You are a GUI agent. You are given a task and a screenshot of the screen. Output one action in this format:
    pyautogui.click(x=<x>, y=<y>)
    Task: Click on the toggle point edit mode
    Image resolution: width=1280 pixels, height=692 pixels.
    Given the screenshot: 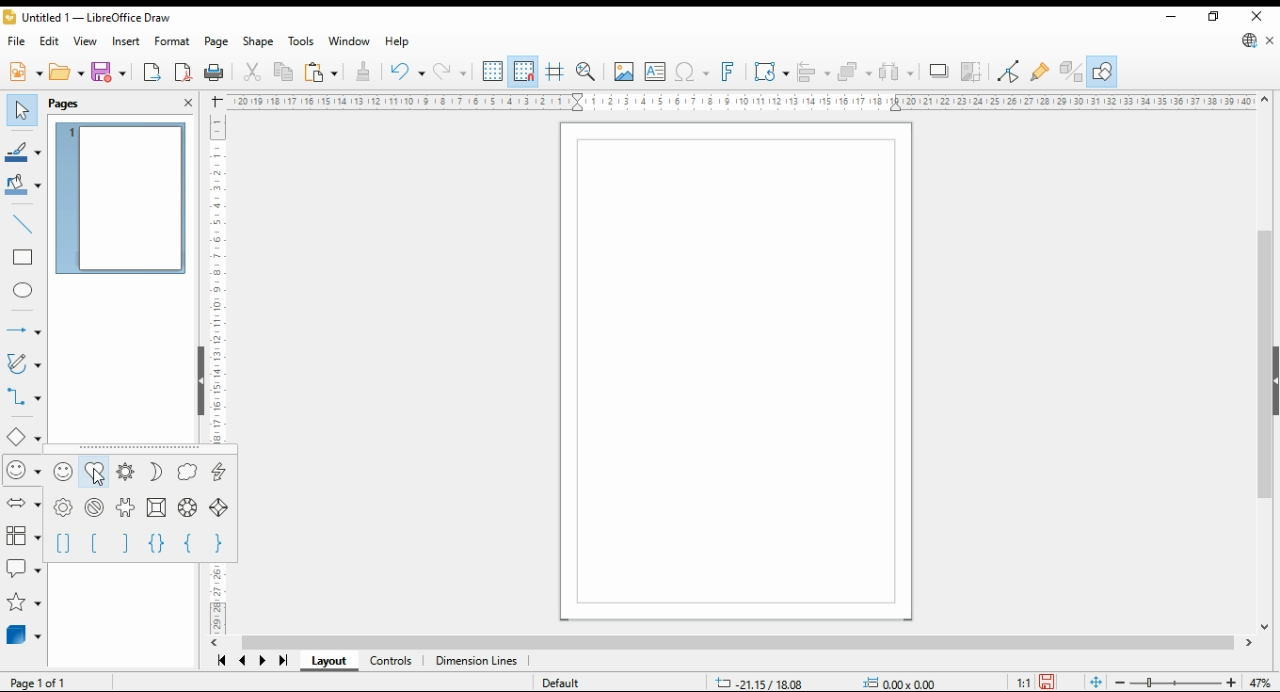 What is the action you would take?
    pyautogui.click(x=1010, y=73)
    